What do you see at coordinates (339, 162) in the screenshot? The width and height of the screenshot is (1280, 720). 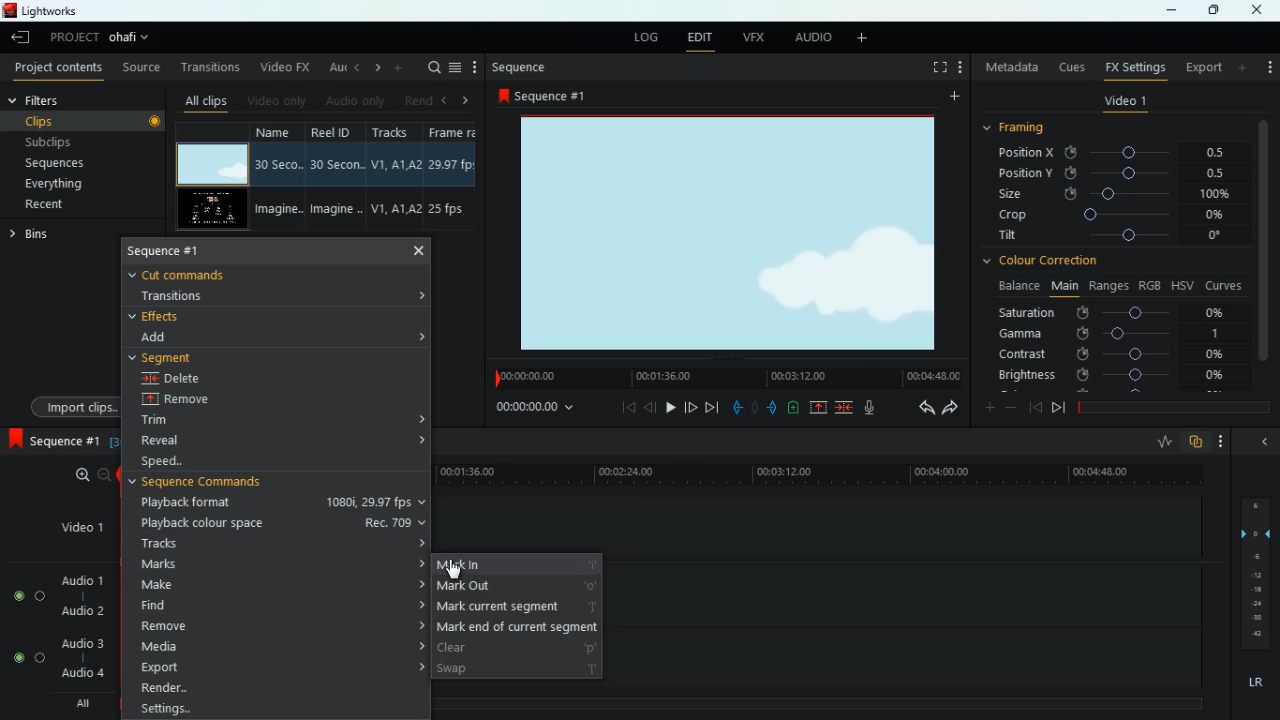 I see `30 Secon..` at bounding box center [339, 162].